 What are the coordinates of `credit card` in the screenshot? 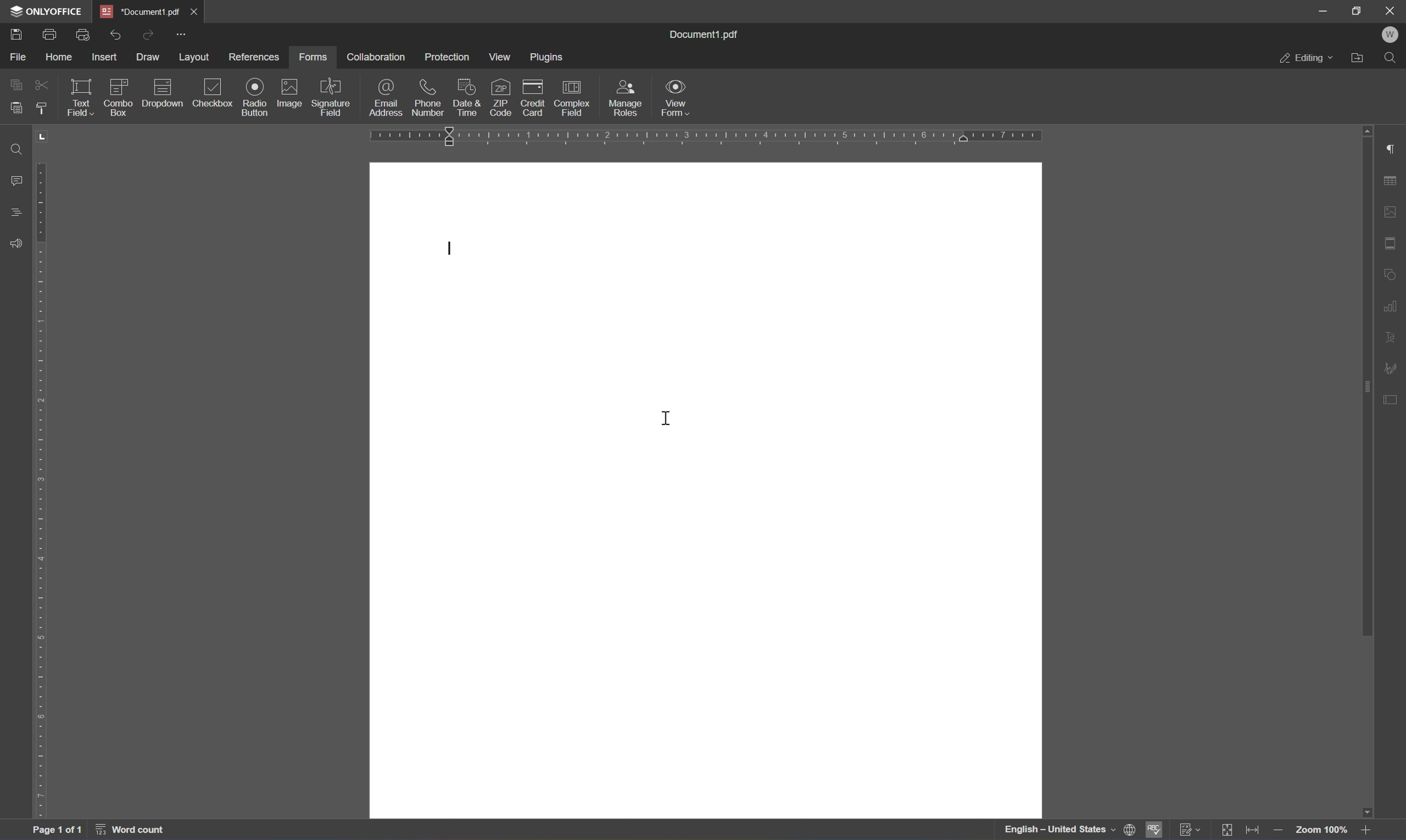 It's located at (533, 97).